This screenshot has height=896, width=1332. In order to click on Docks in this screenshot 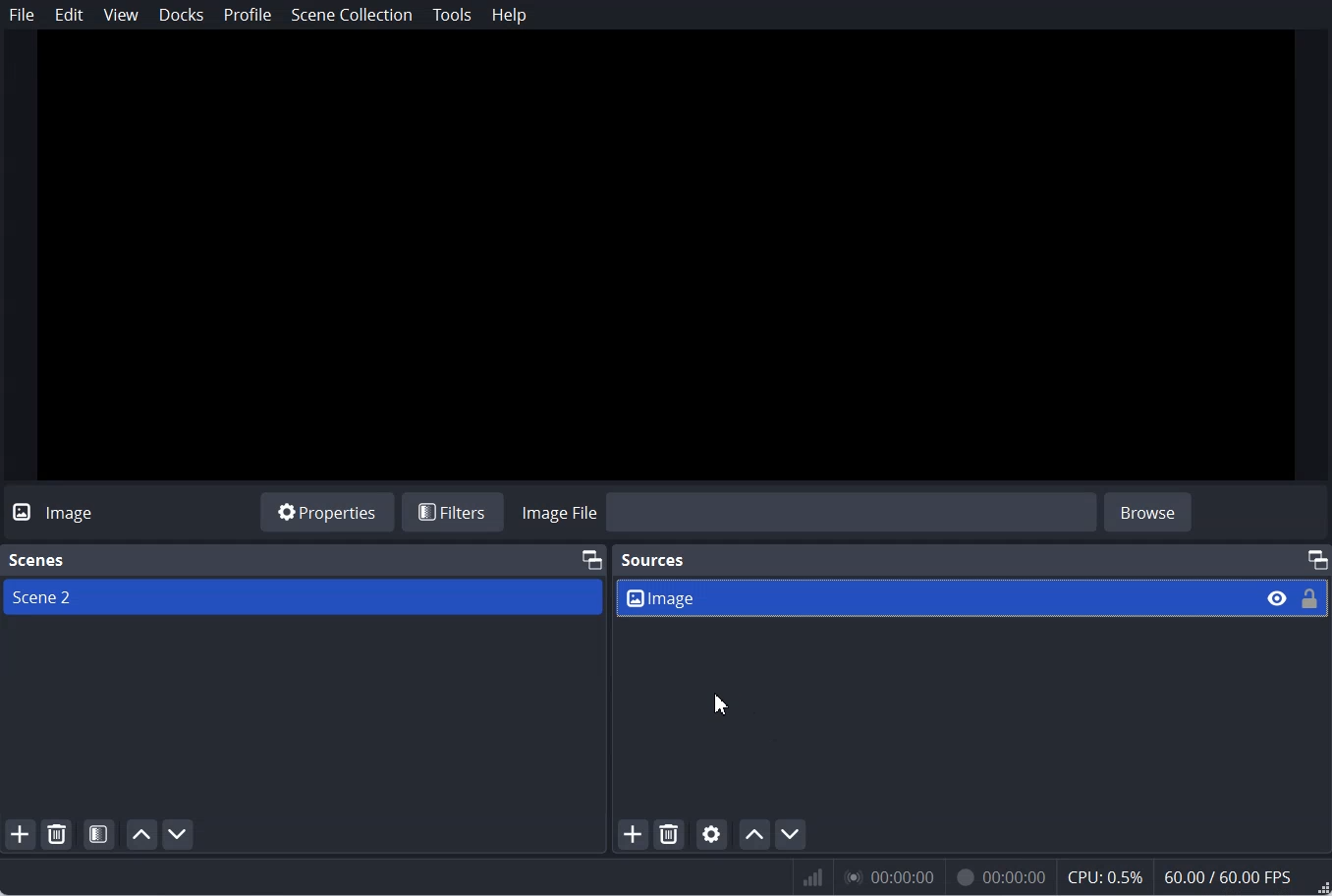, I will do `click(182, 16)`.